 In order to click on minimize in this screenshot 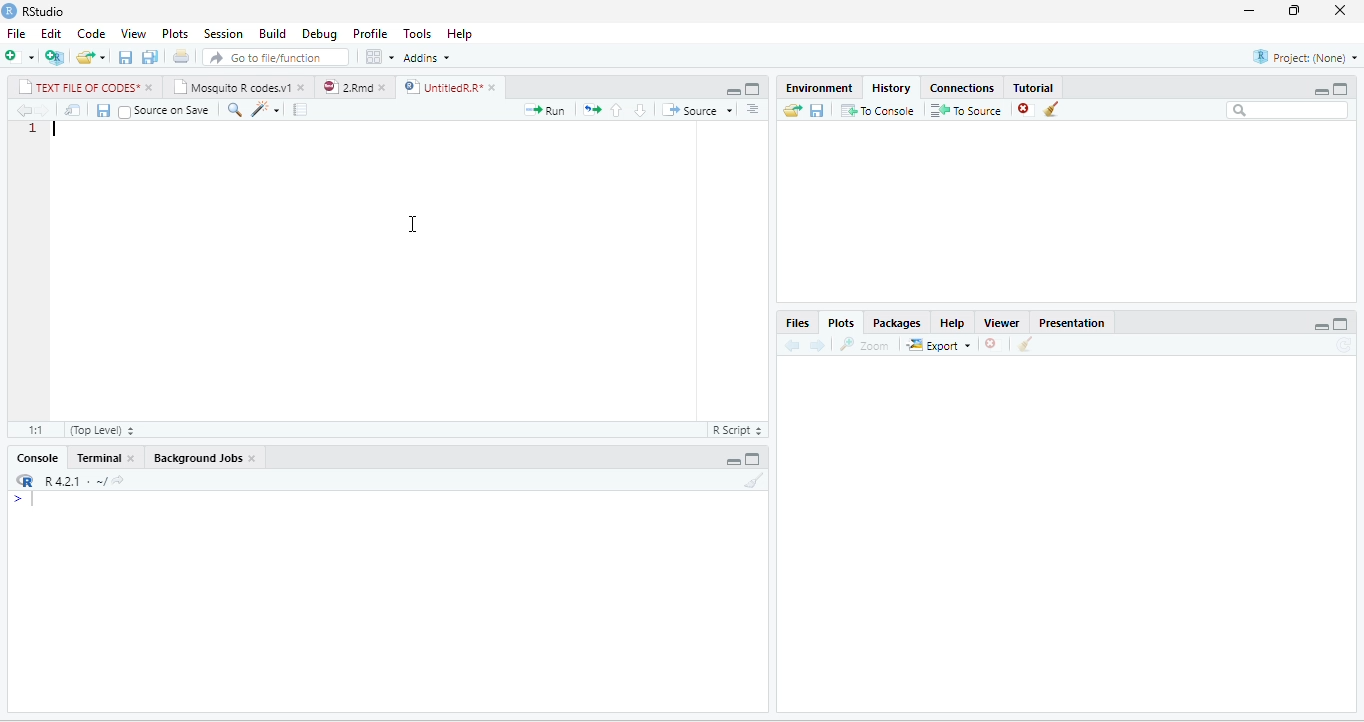, I will do `click(1250, 11)`.